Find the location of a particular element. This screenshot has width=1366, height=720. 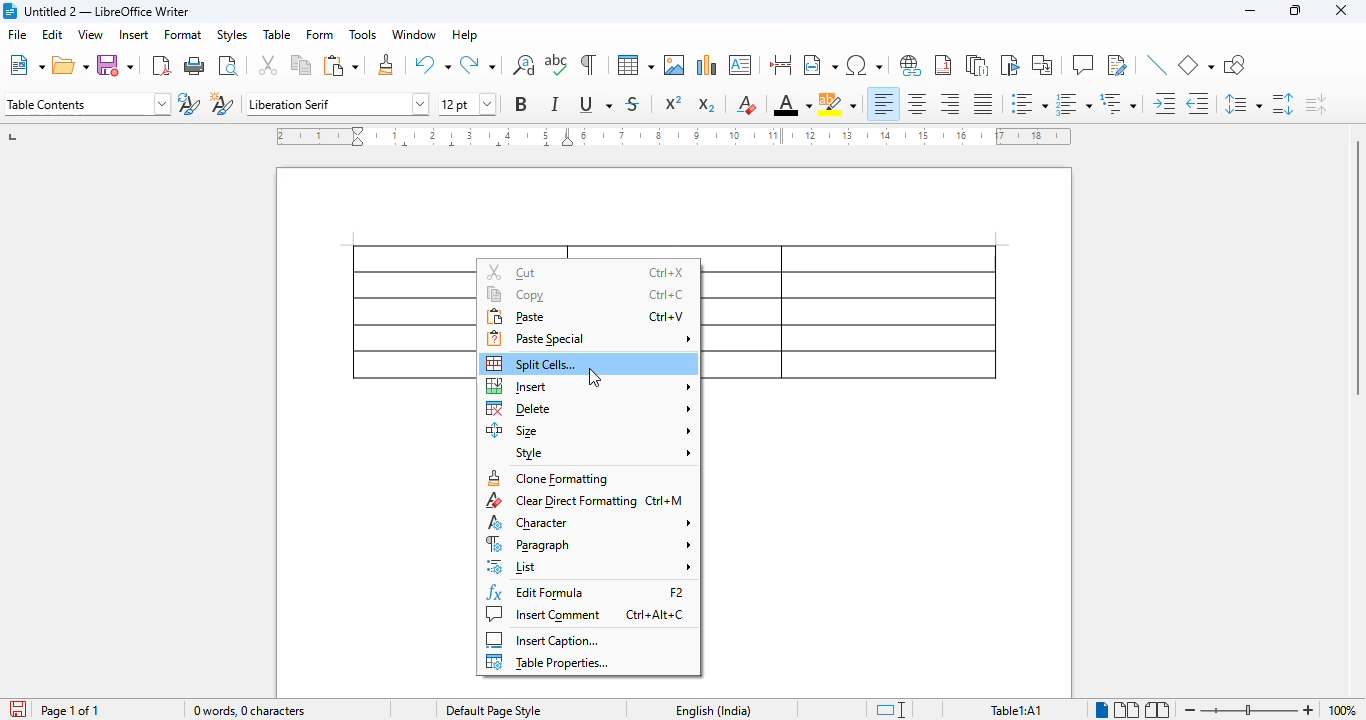

shortcut for copy is located at coordinates (665, 294).